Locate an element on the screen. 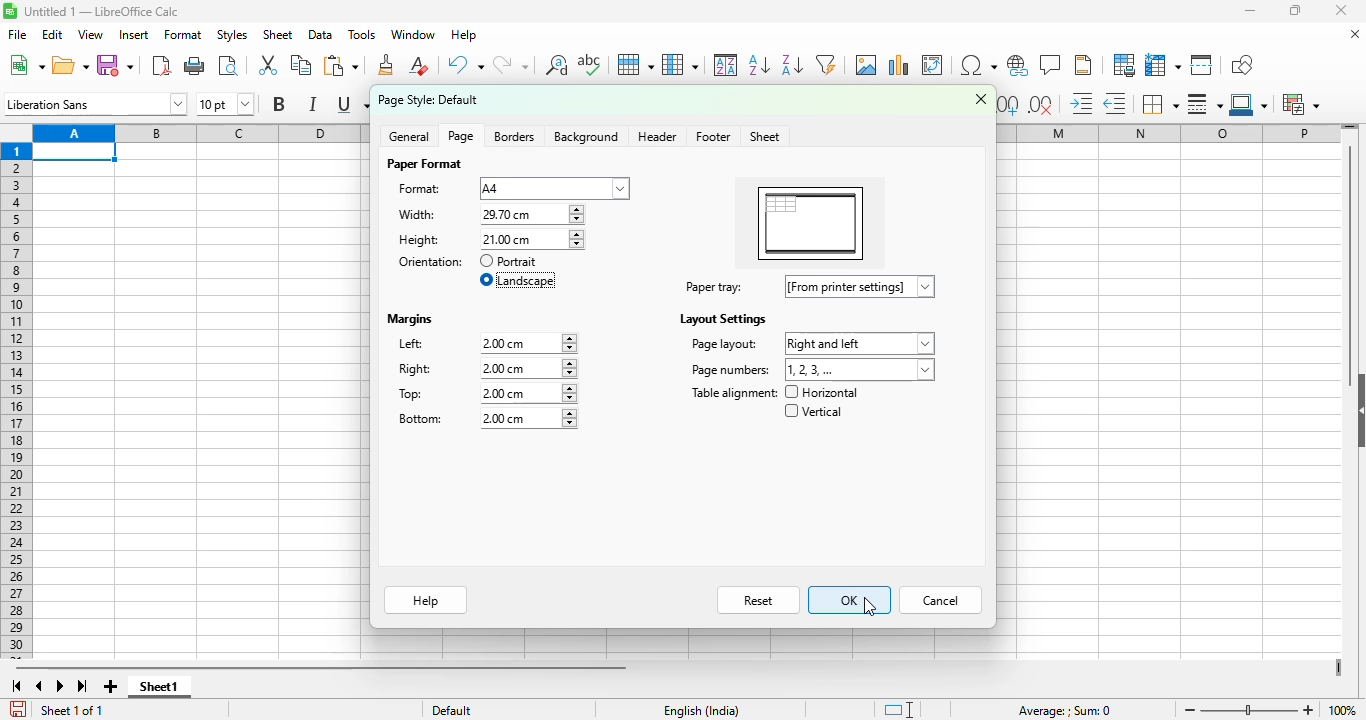 The width and height of the screenshot is (1366, 720). scroll to last sheet is located at coordinates (83, 686).